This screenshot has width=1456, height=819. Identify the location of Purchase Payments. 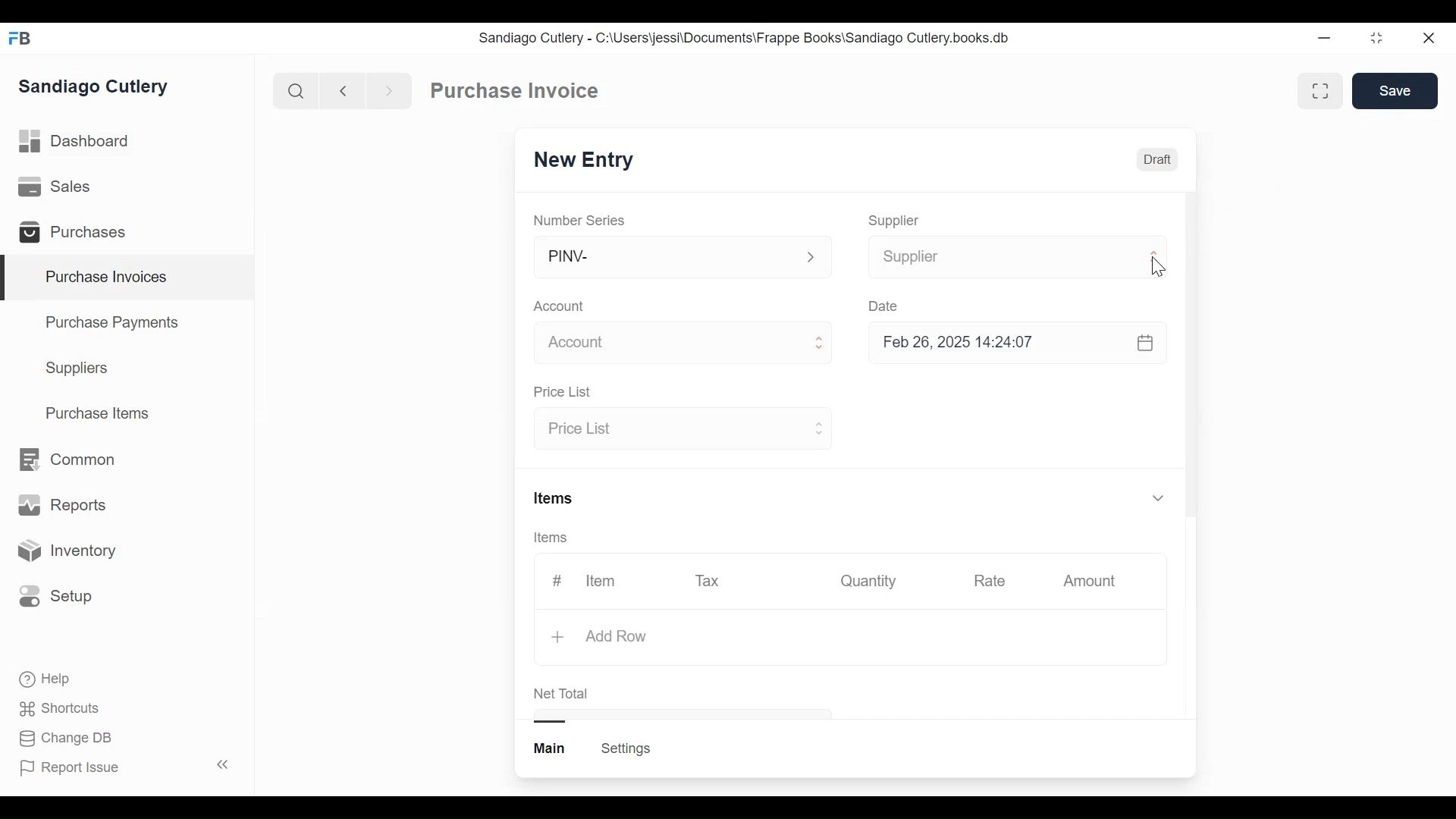
(115, 325).